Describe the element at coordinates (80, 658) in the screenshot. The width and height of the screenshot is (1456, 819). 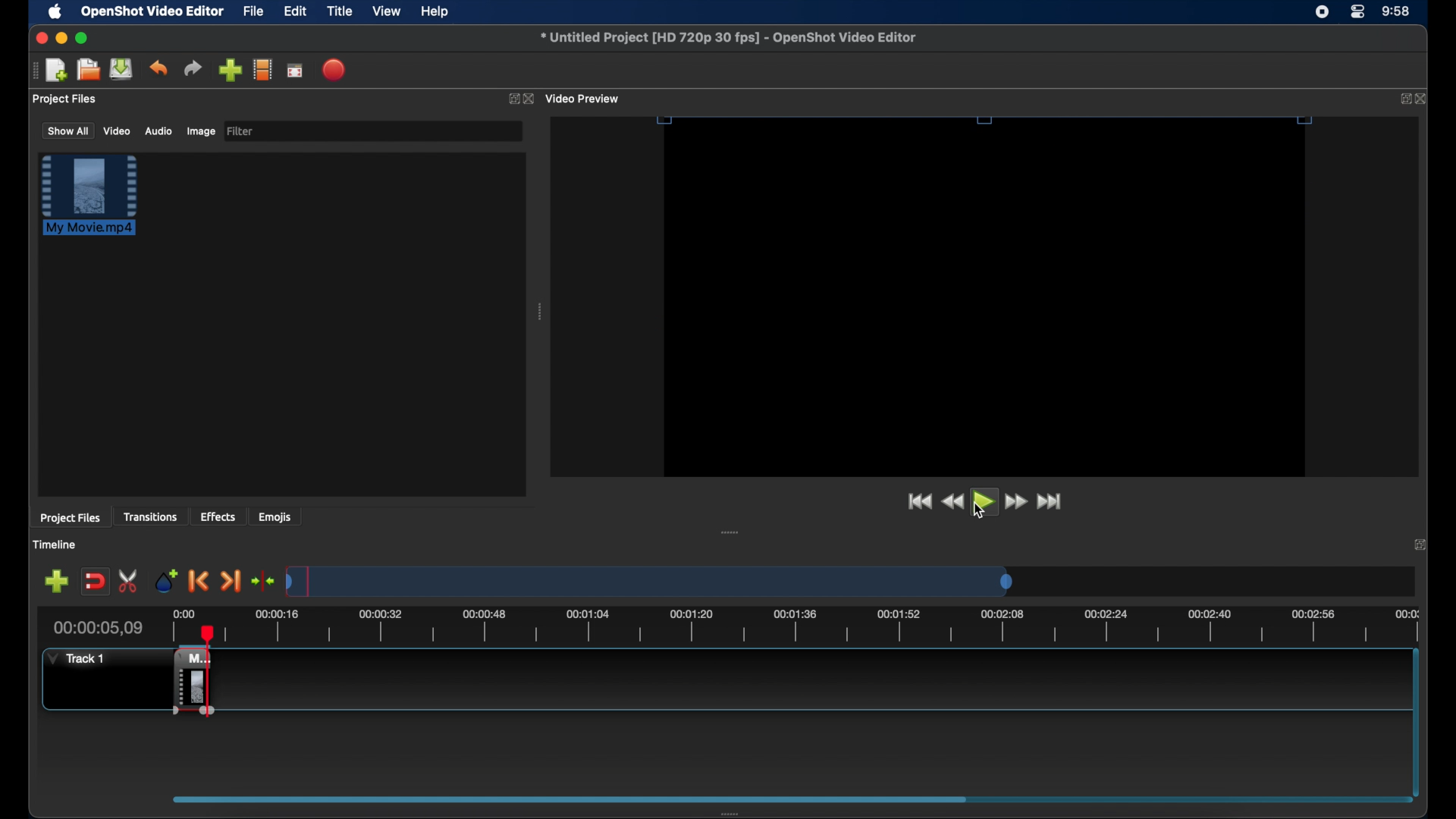
I see `track 1` at that location.